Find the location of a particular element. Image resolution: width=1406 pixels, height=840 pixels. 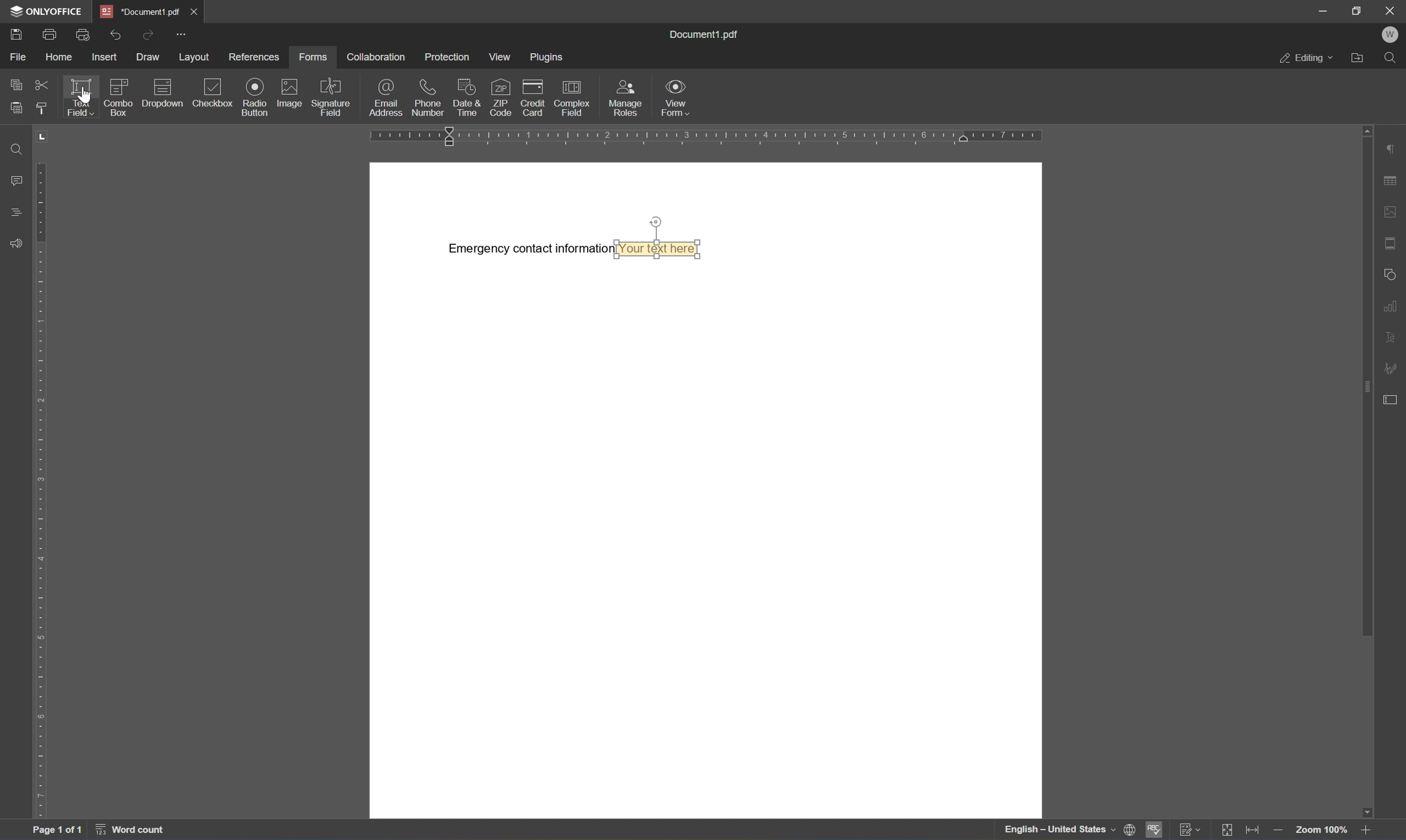

chart settings is located at coordinates (1394, 305).